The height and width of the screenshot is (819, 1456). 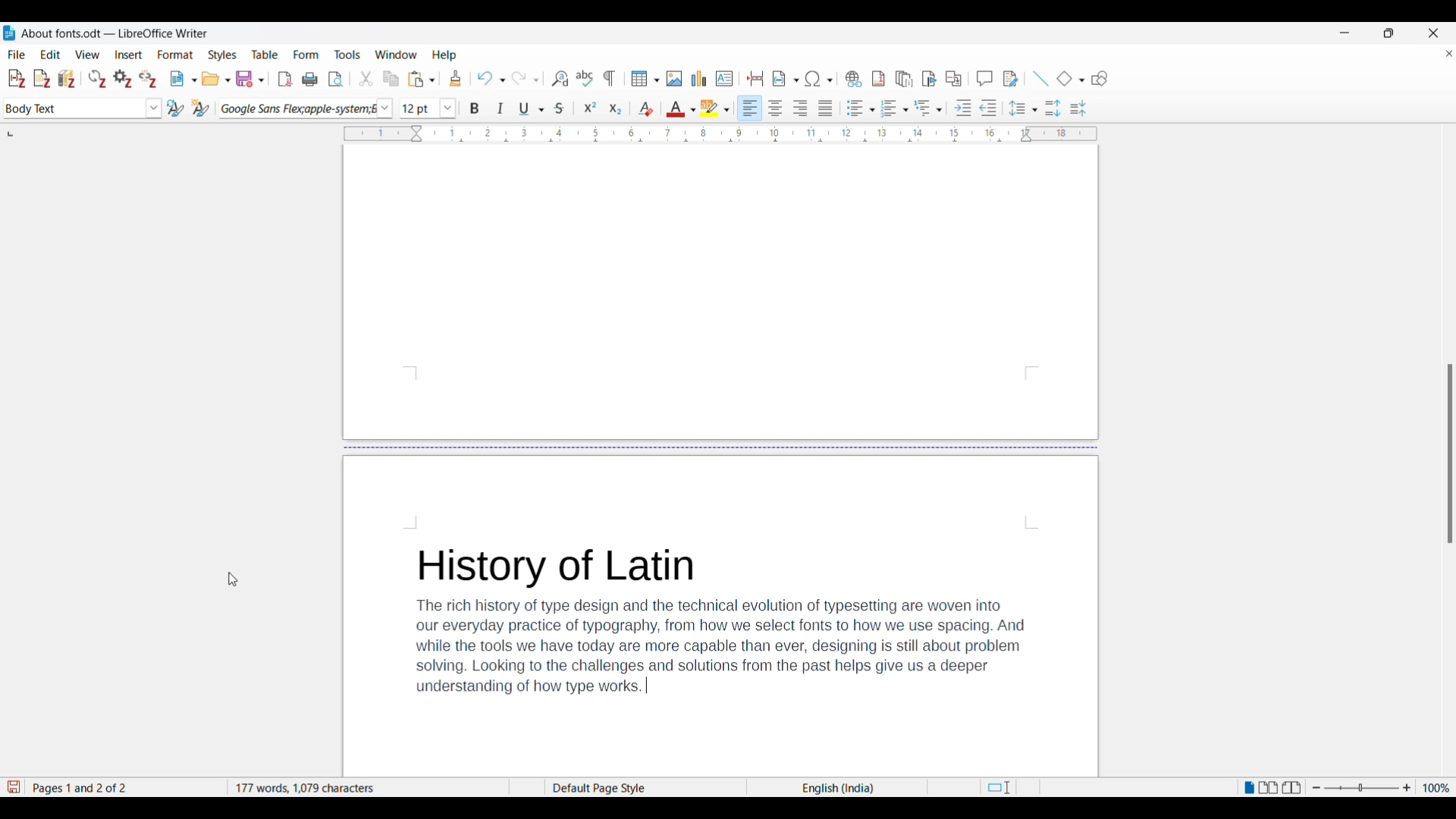 I want to click on Insert hyperlink, so click(x=853, y=79).